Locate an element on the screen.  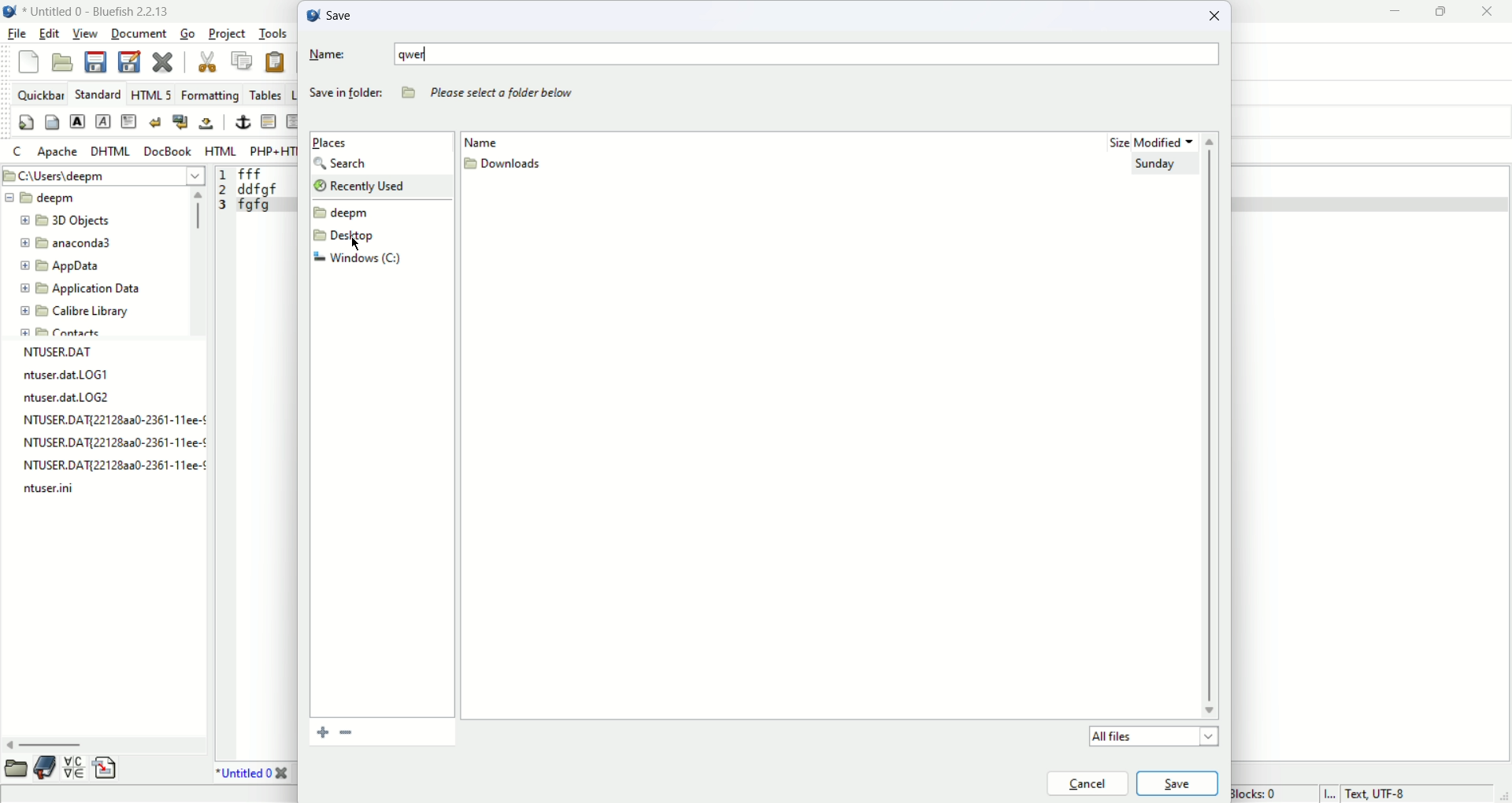
new is located at coordinates (29, 61).